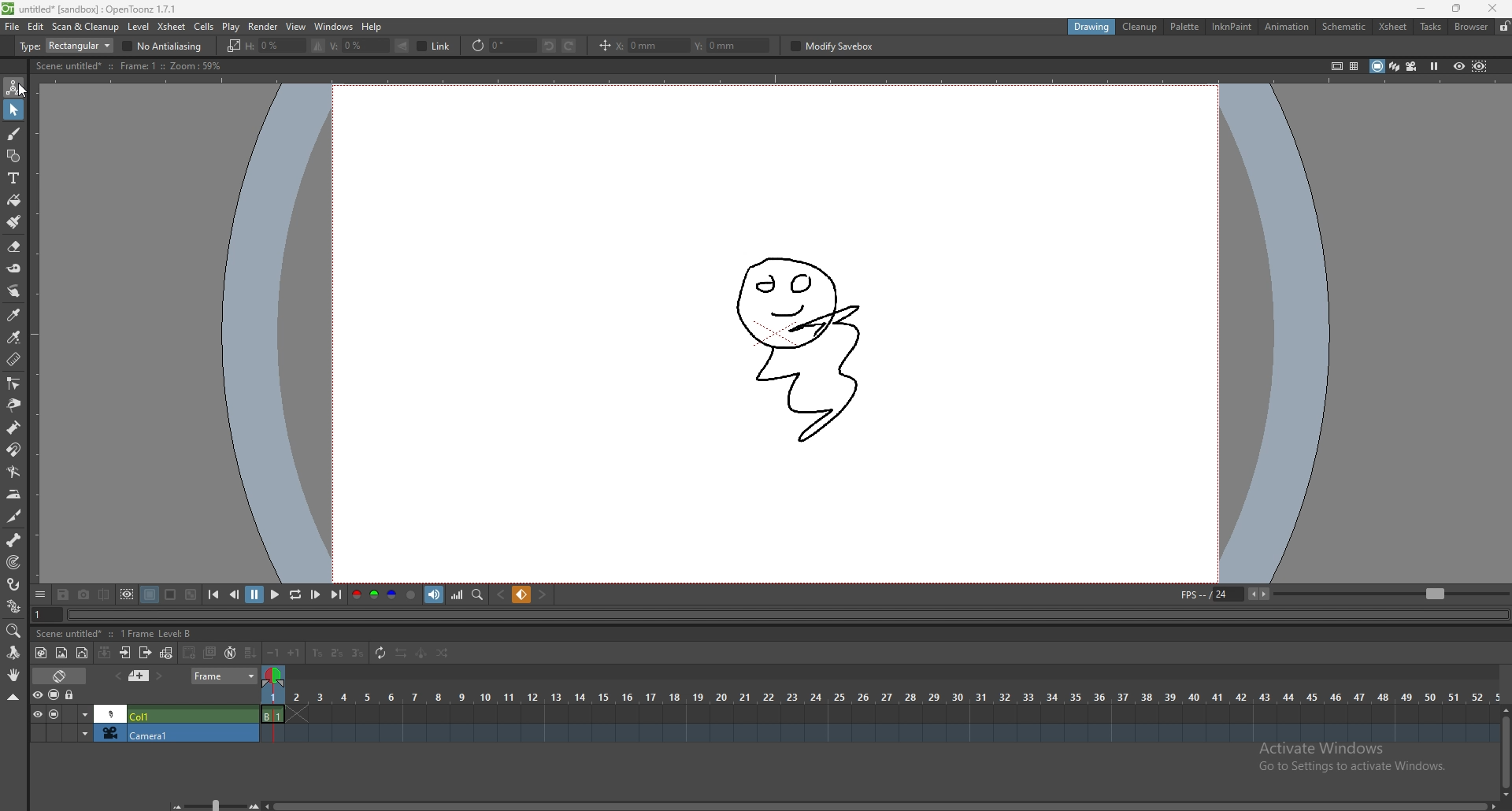 This screenshot has width=1512, height=811. Describe the element at coordinates (14, 201) in the screenshot. I see `fill` at that location.